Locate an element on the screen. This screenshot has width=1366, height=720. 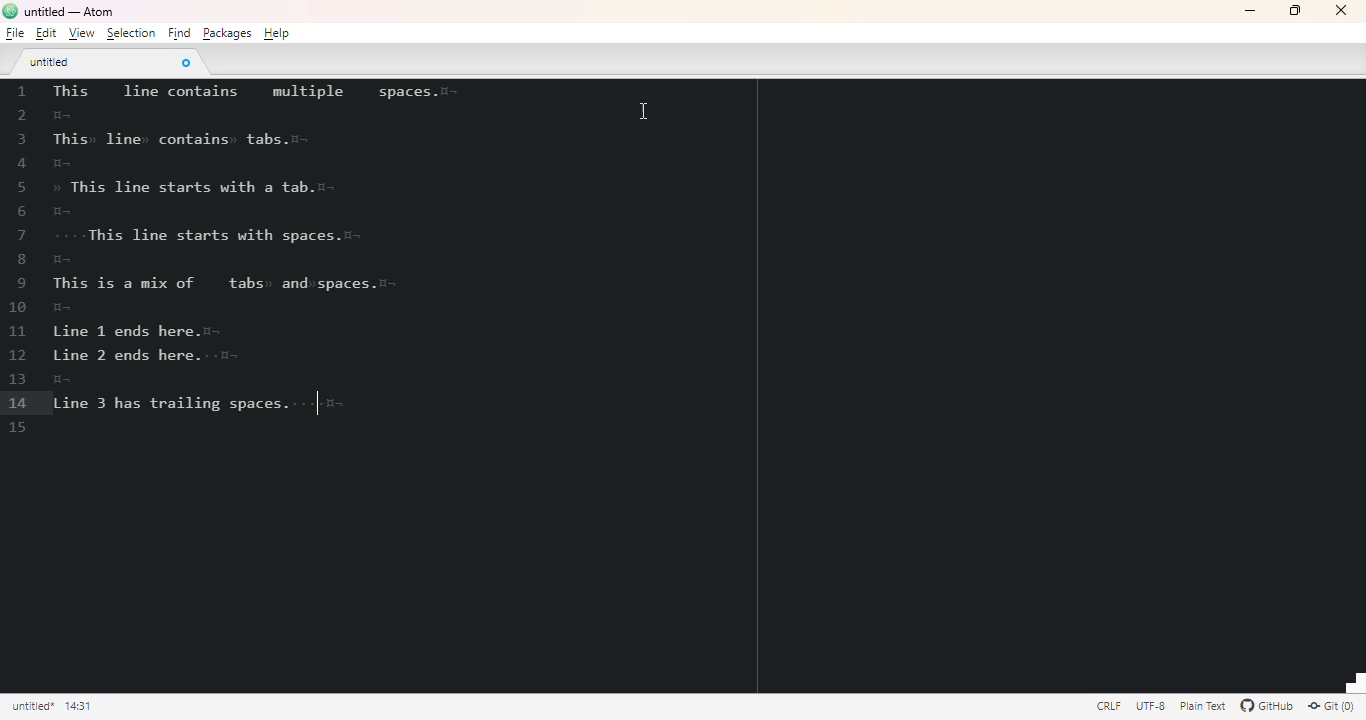
invisible character is located at coordinates (234, 140).